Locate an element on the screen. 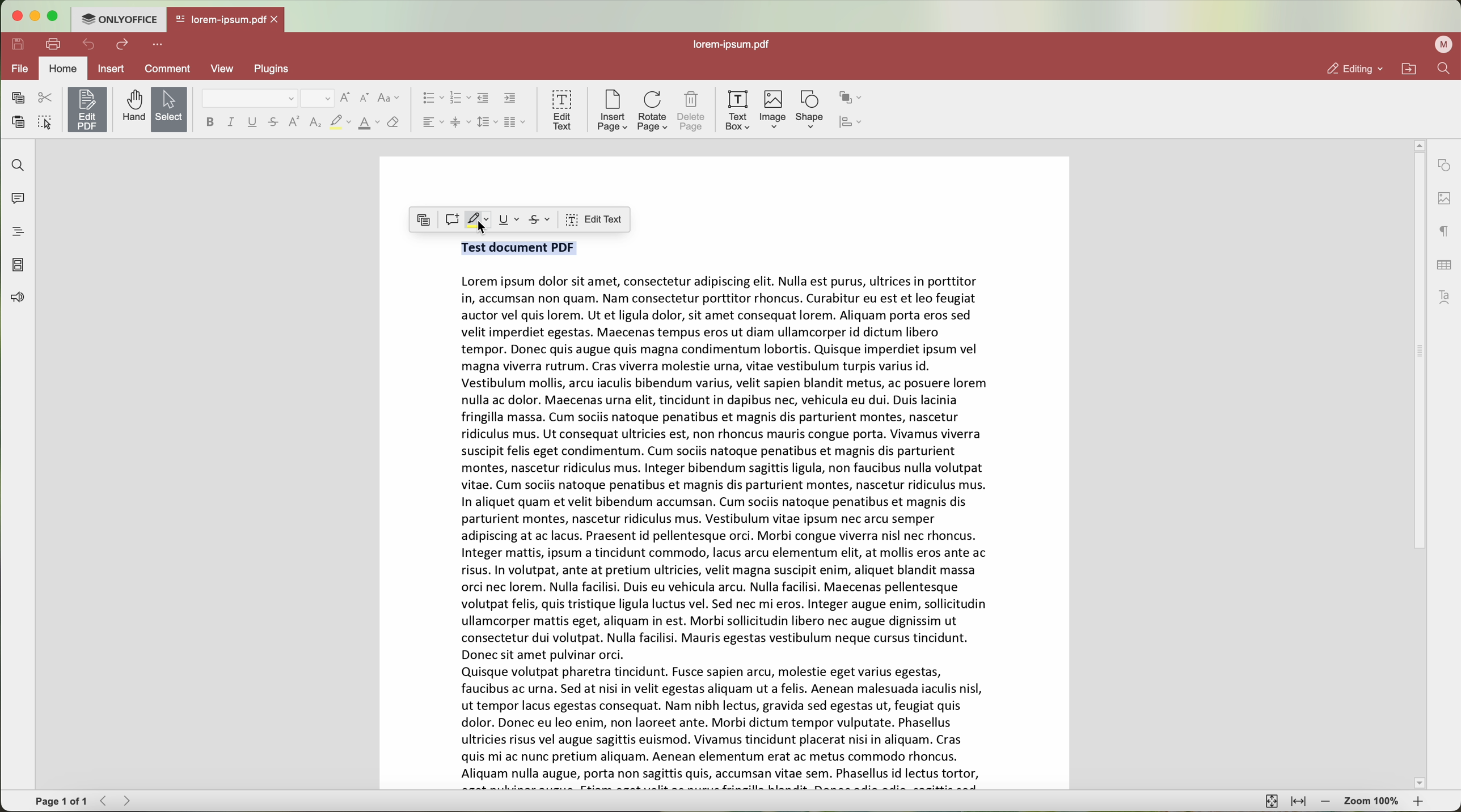  change case is located at coordinates (391, 100).